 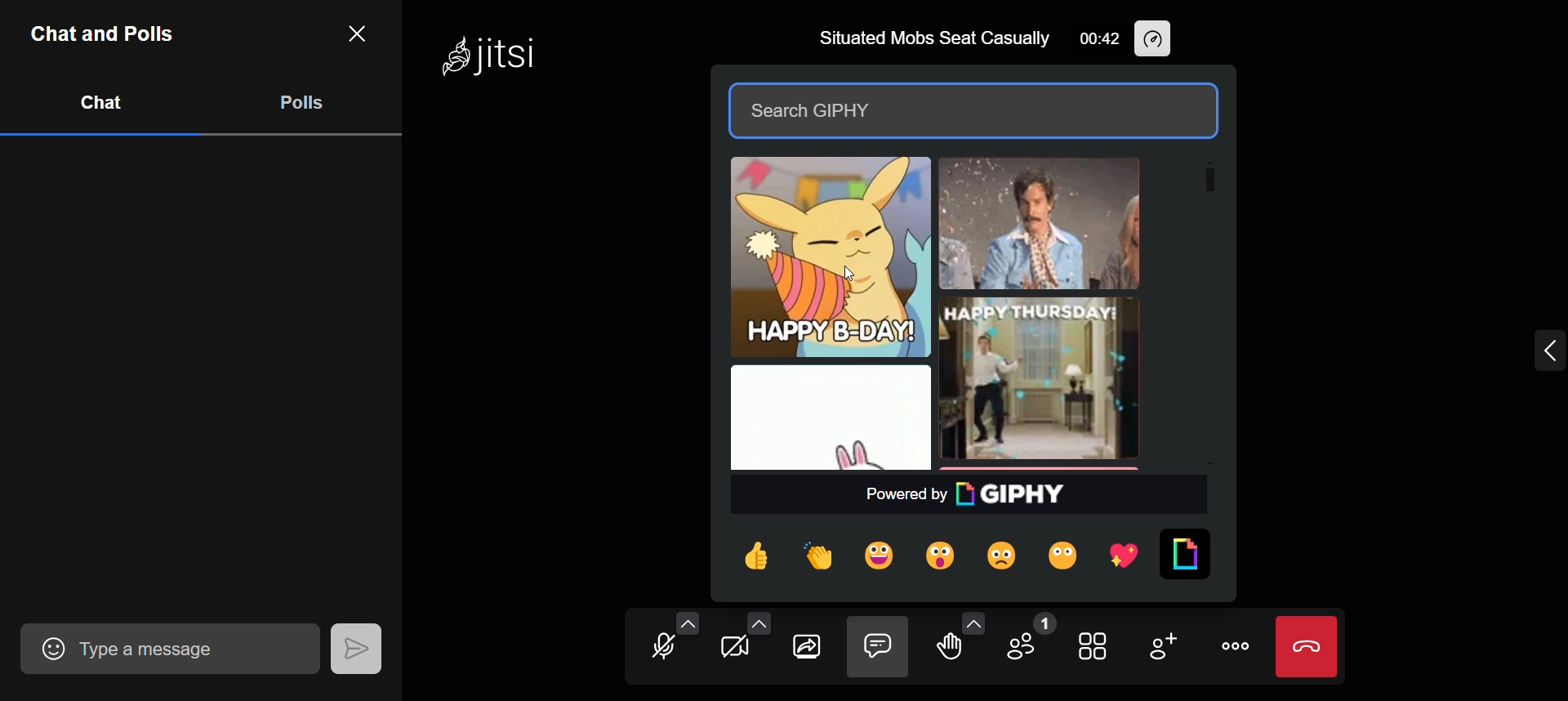 I want to click on boo reaction, so click(x=1064, y=558).